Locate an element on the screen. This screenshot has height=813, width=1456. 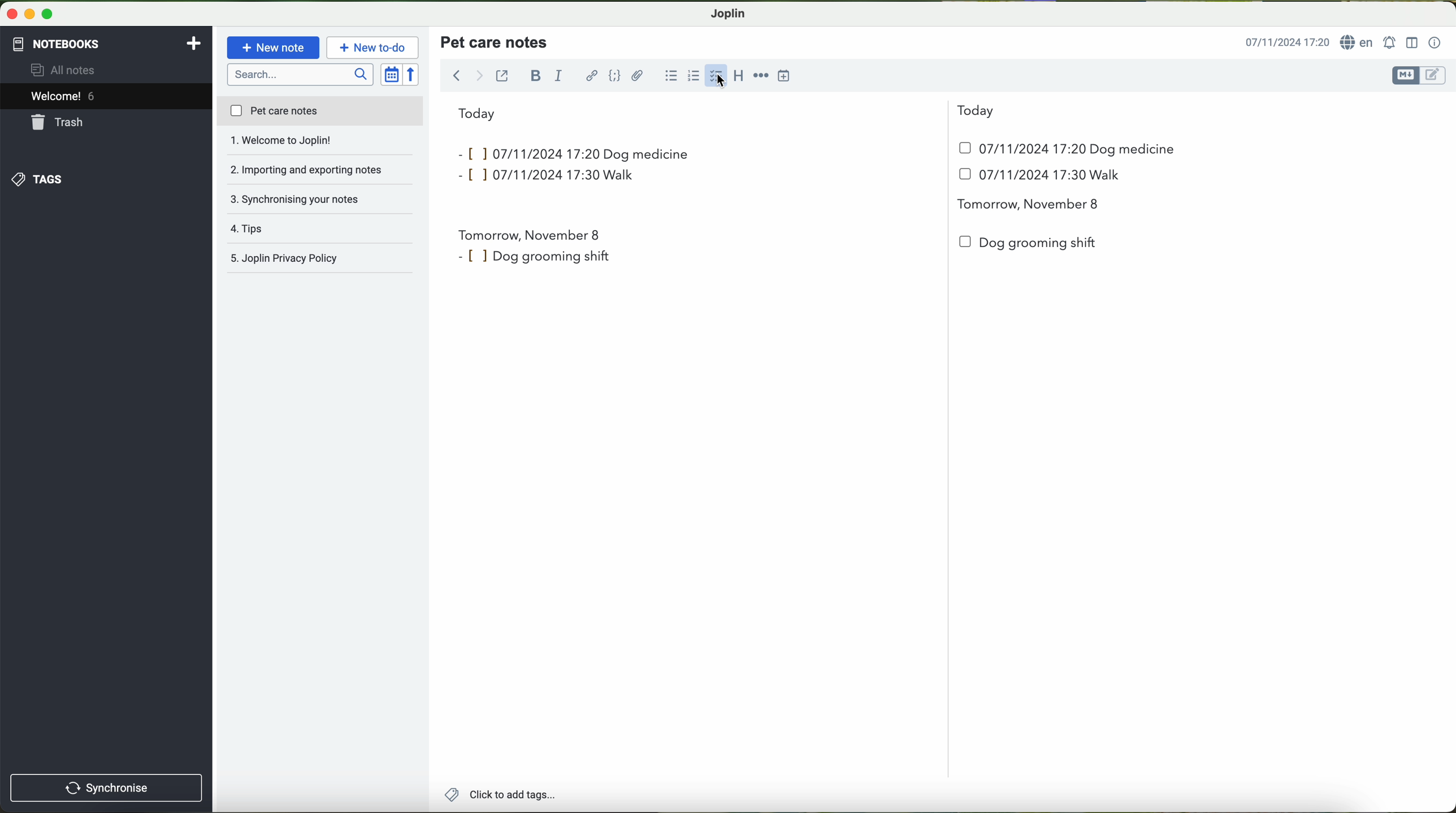
pet care notes file is located at coordinates (319, 112).